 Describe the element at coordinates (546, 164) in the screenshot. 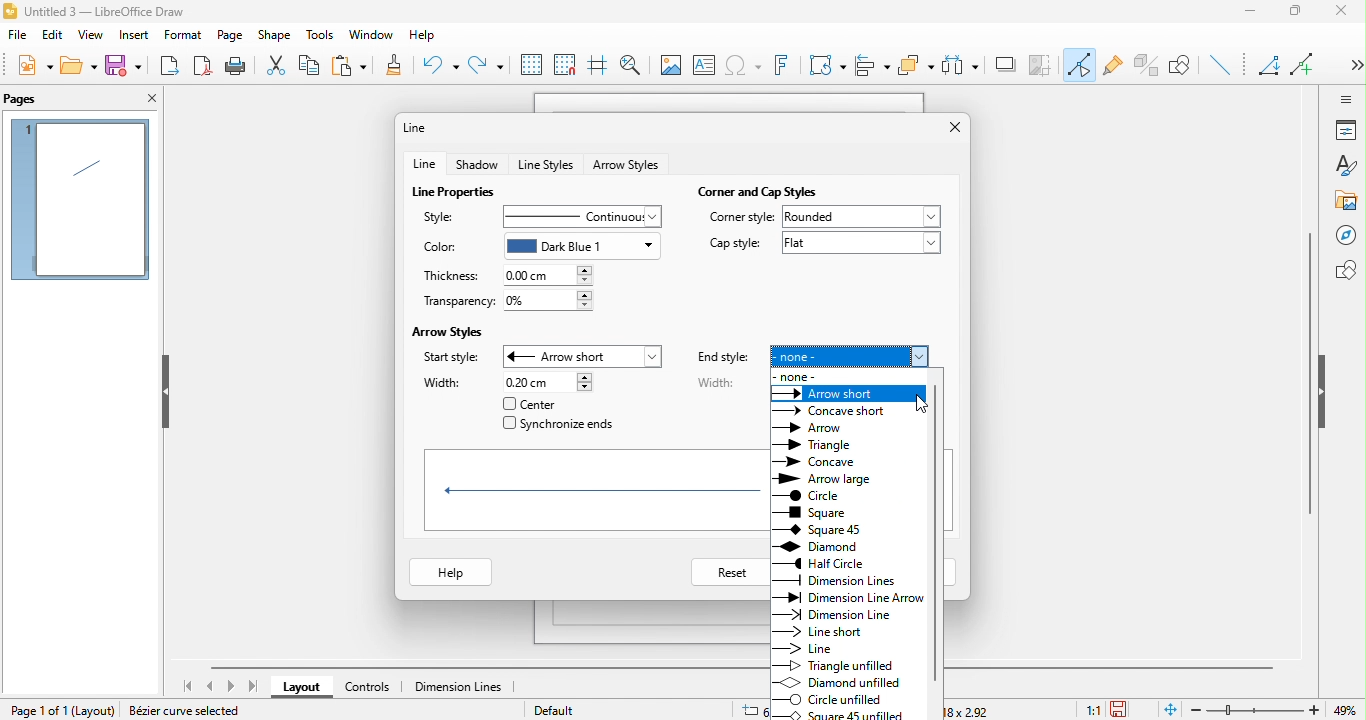

I see `line styles` at that location.